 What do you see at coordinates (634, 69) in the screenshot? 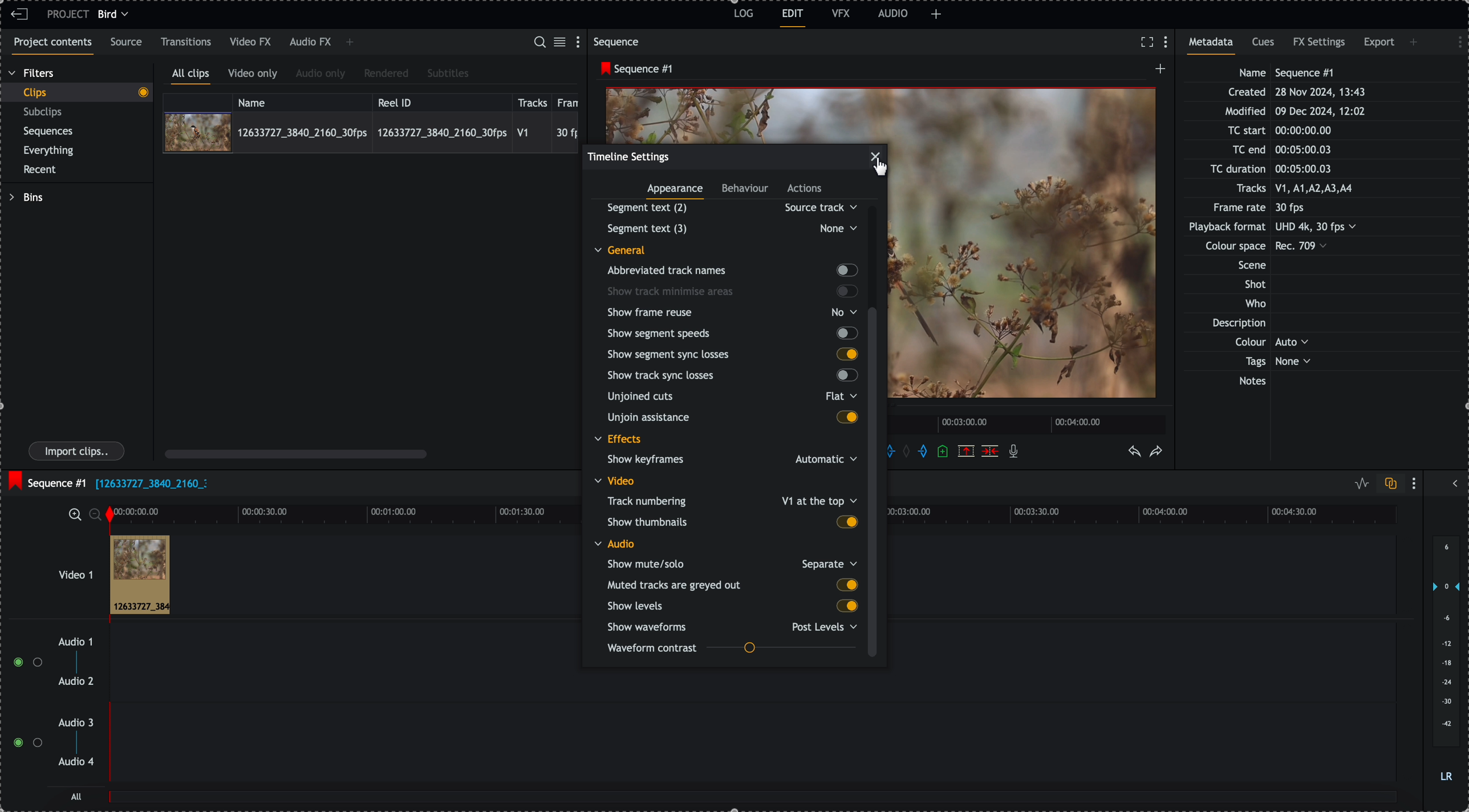
I see `sequence #1` at bounding box center [634, 69].